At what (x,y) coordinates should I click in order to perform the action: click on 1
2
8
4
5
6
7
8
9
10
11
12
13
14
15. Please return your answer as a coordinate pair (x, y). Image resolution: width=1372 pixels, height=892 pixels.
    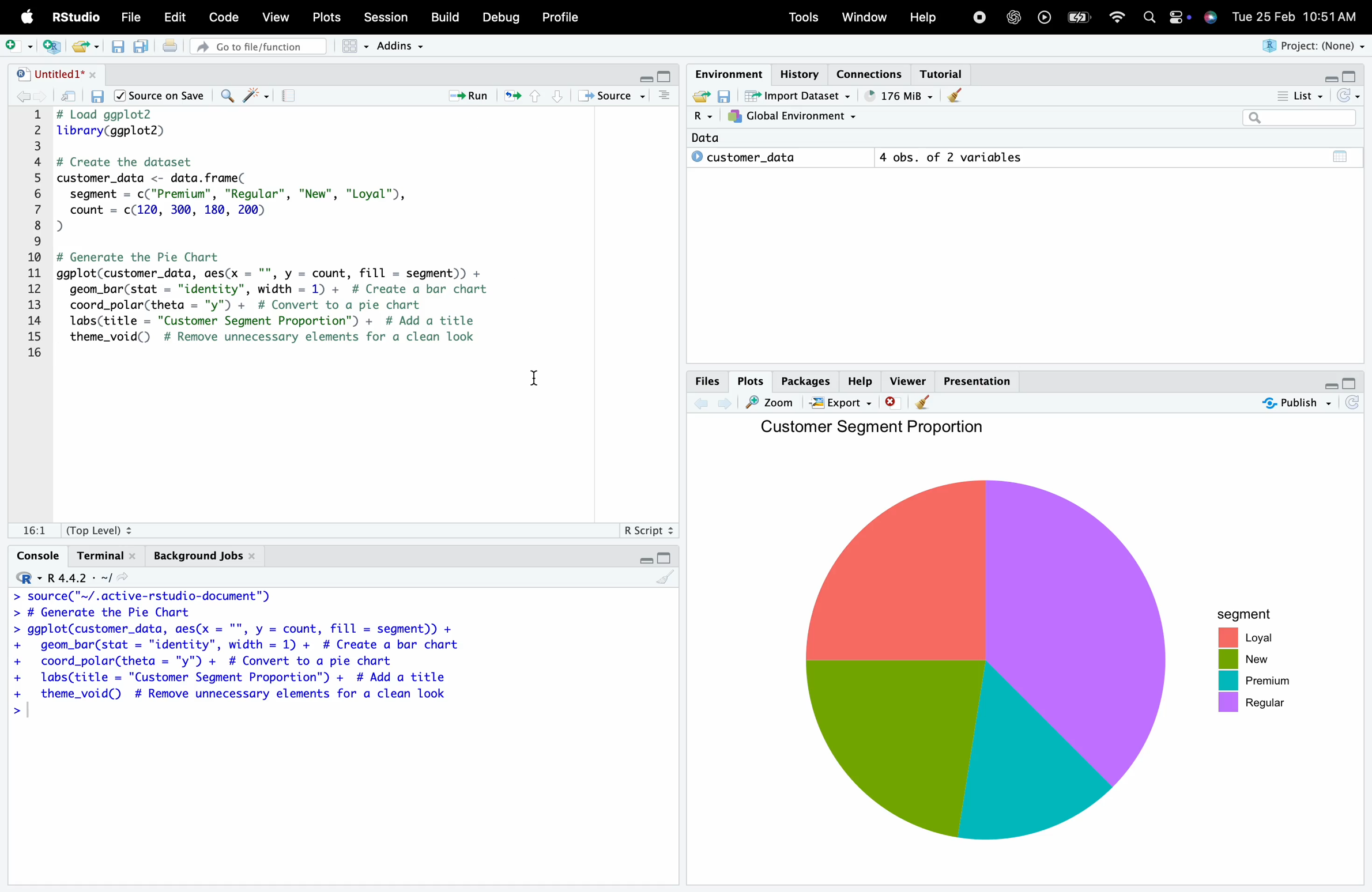
    Looking at the image, I should click on (37, 232).